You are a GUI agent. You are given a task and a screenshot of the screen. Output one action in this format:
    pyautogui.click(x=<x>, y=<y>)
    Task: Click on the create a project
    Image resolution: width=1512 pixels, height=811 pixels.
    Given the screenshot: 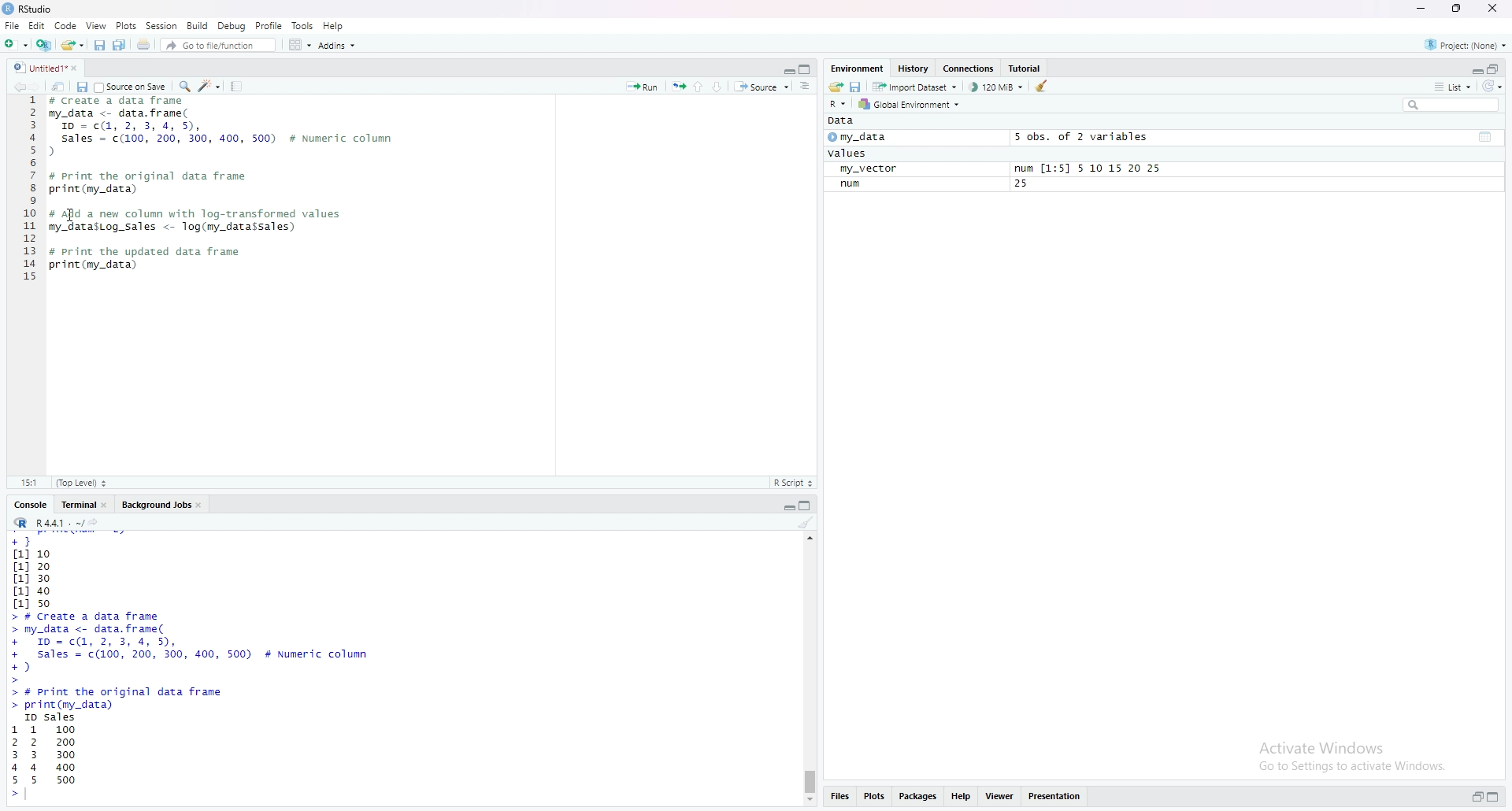 What is the action you would take?
    pyautogui.click(x=44, y=45)
    